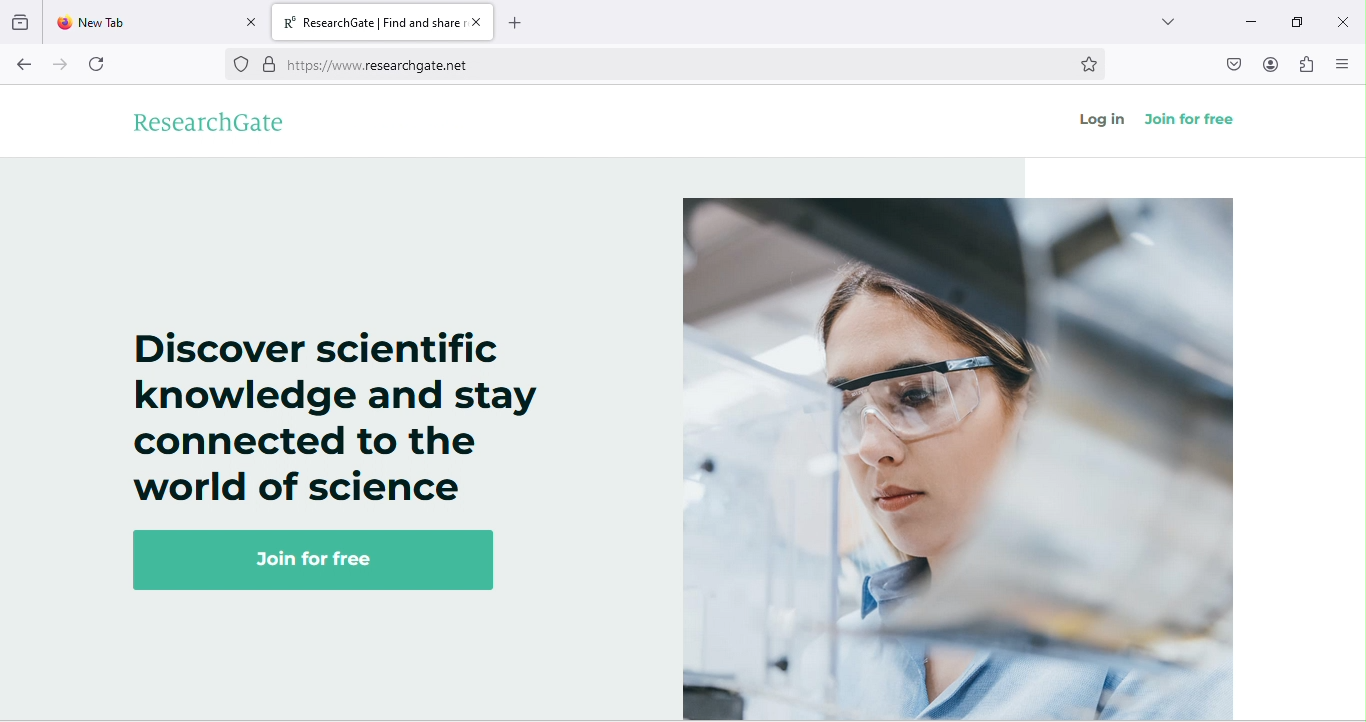 This screenshot has height=722, width=1366. Describe the element at coordinates (512, 24) in the screenshot. I see `add new` at that location.